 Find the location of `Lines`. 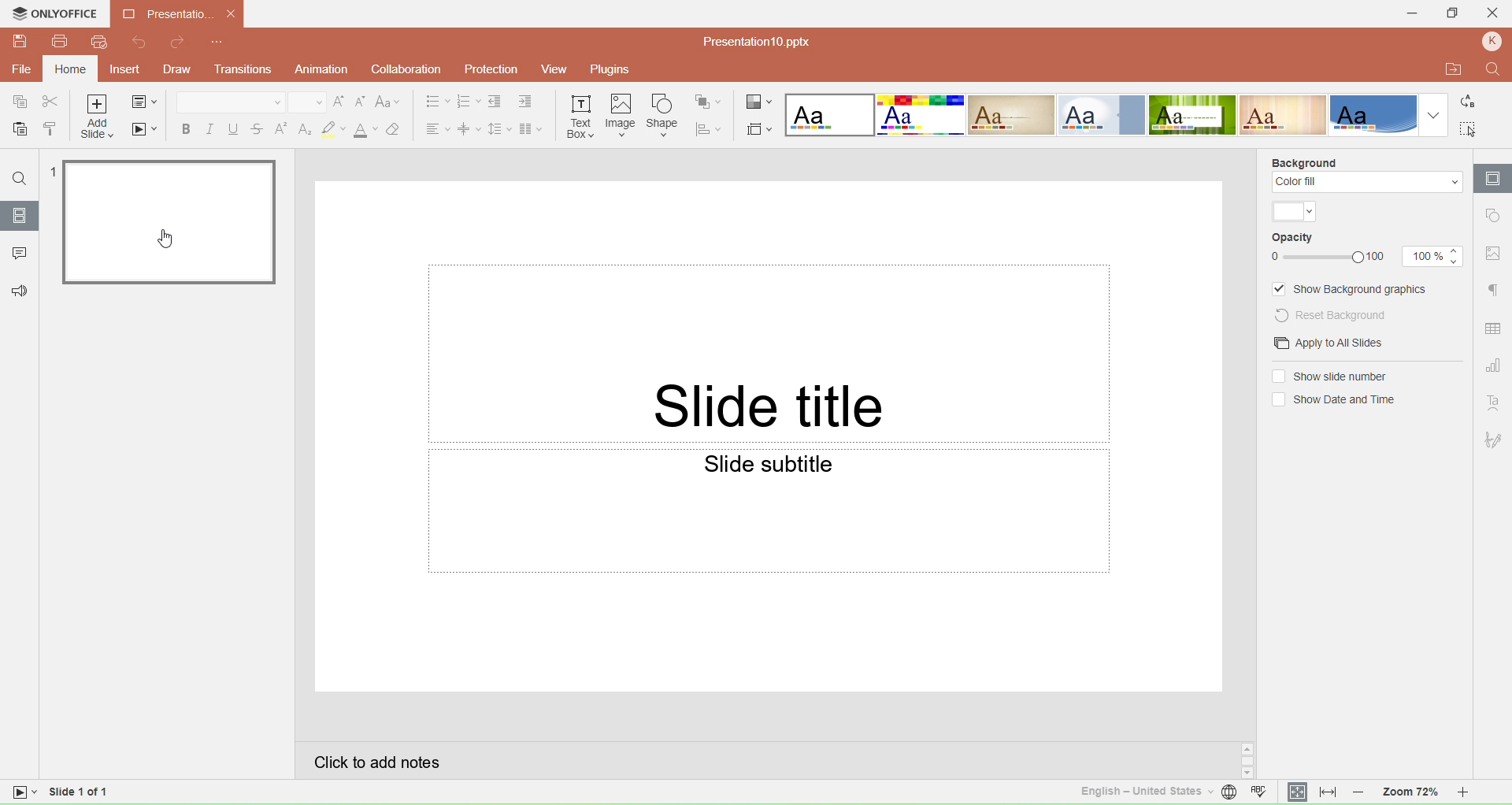

Lines is located at coordinates (1284, 114).